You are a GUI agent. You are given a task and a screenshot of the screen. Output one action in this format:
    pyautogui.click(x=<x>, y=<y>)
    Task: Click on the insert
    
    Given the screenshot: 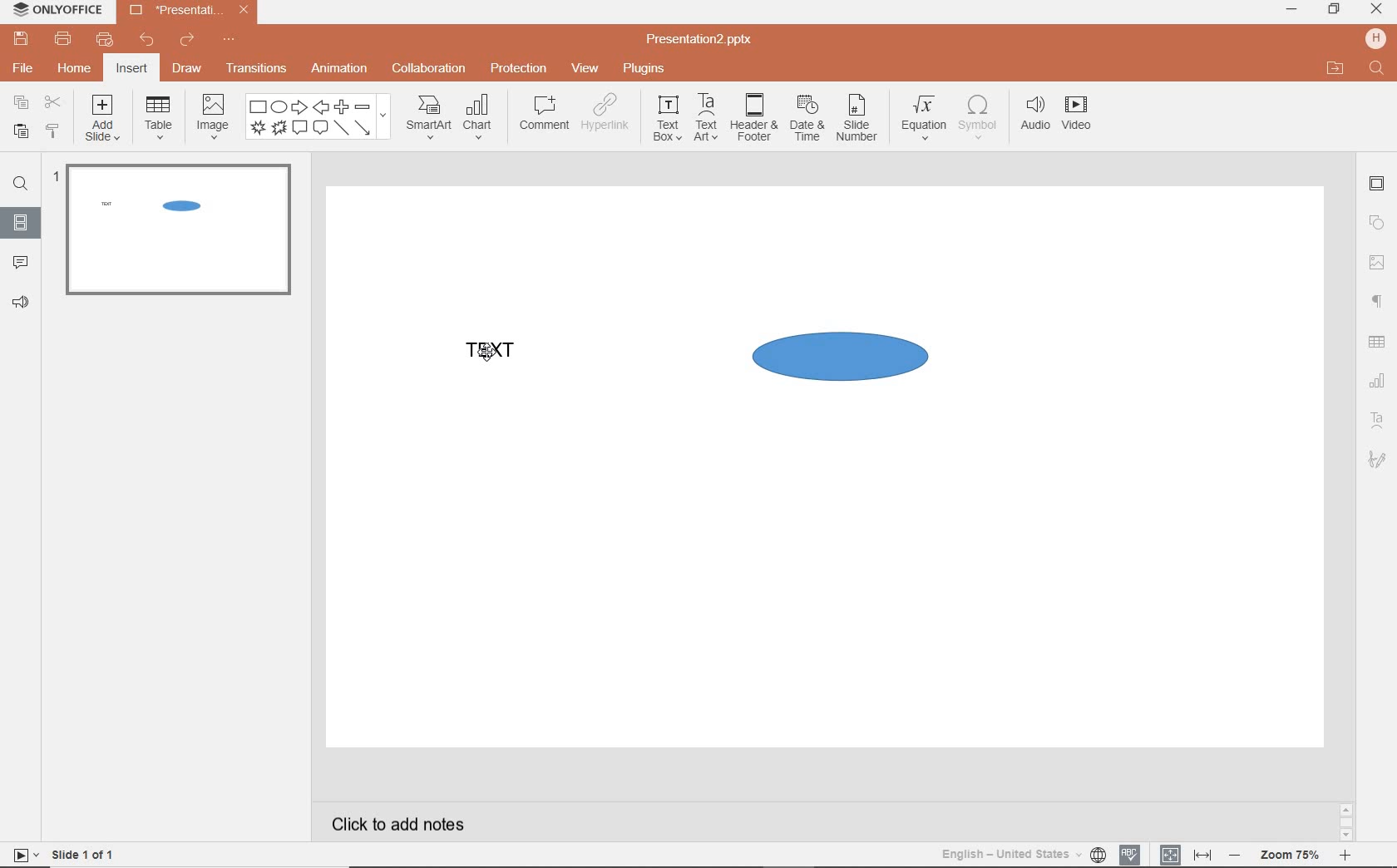 What is the action you would take?
    pyautogui.click(x=133, y=69)
    